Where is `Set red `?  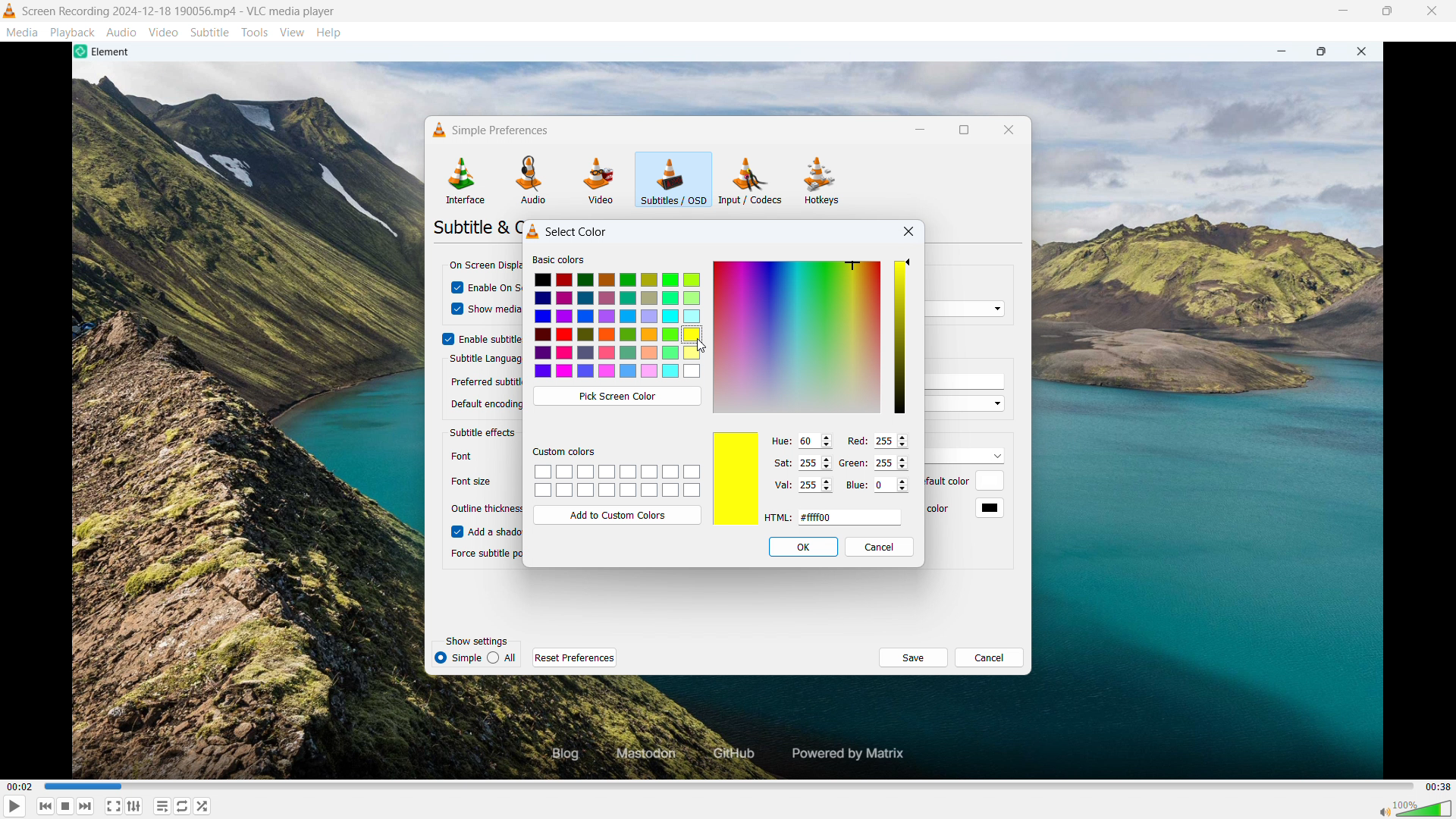
Set red  is located at coordinates (890, 441).